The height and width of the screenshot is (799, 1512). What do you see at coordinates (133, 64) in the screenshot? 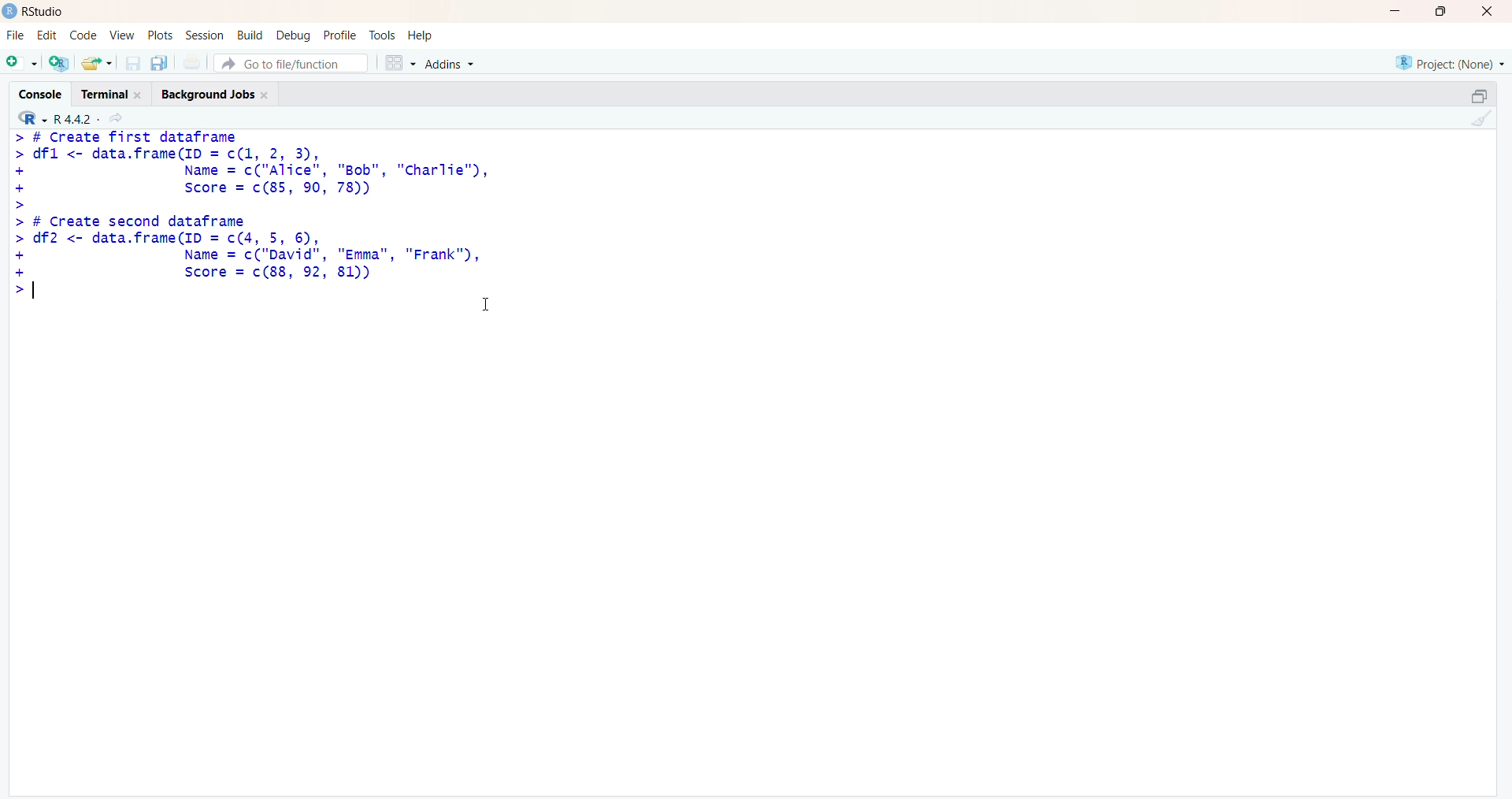
I see `save current document` at bounding box center [133, 64].